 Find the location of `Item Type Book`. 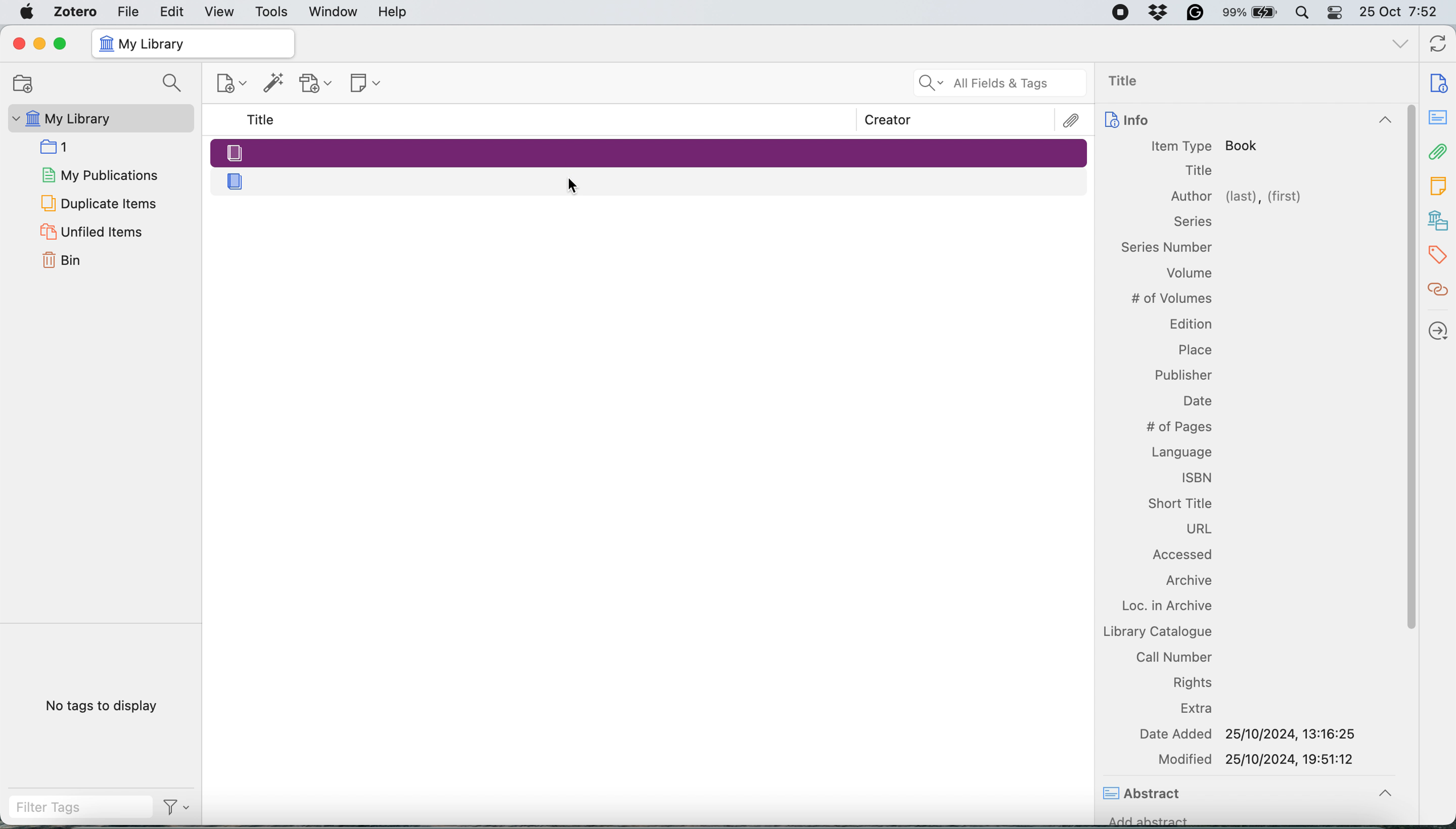

Item Type Book is located at coordinates (1205, 146).